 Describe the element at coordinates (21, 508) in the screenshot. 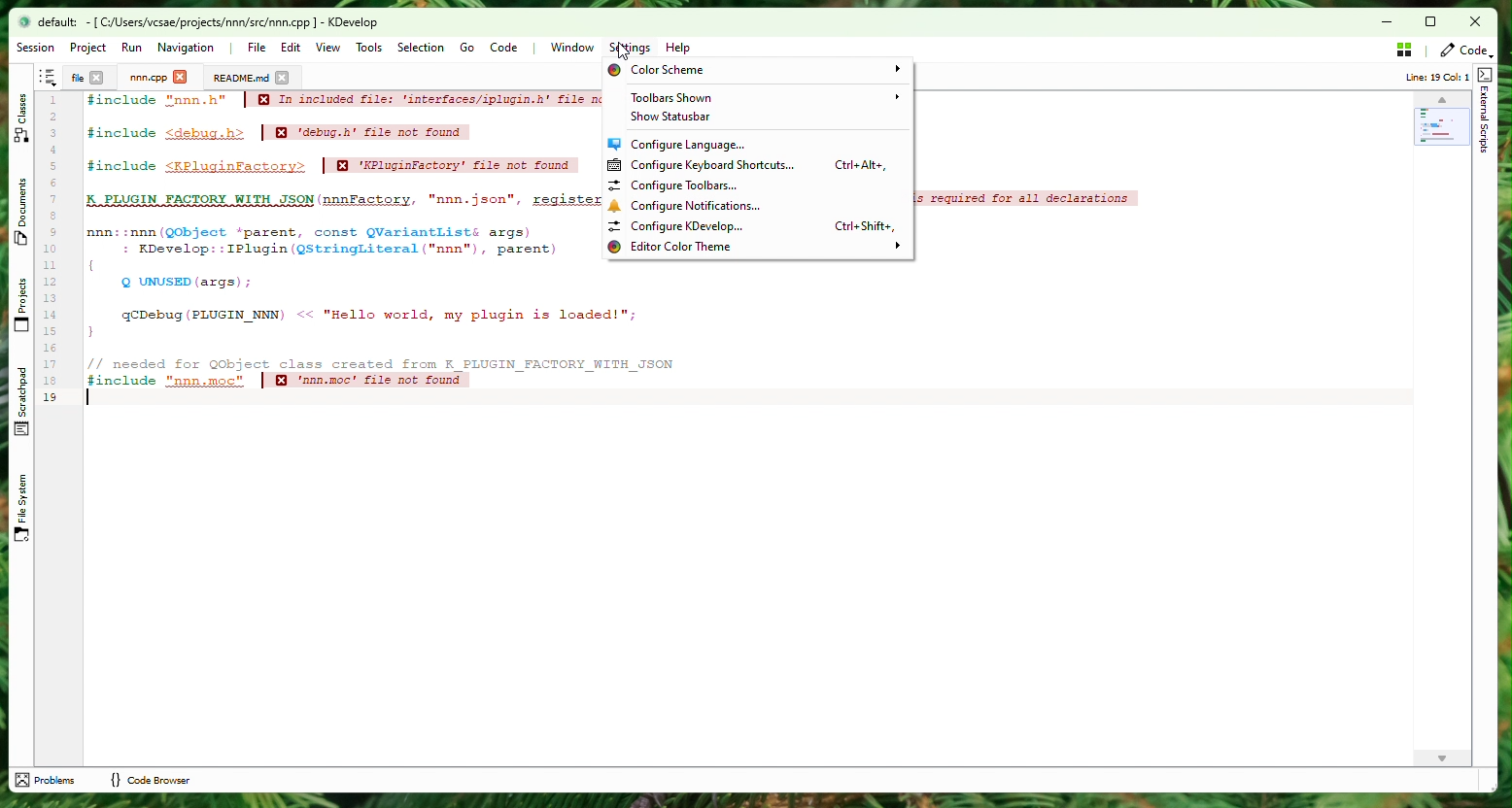

I see `File System` at that location.